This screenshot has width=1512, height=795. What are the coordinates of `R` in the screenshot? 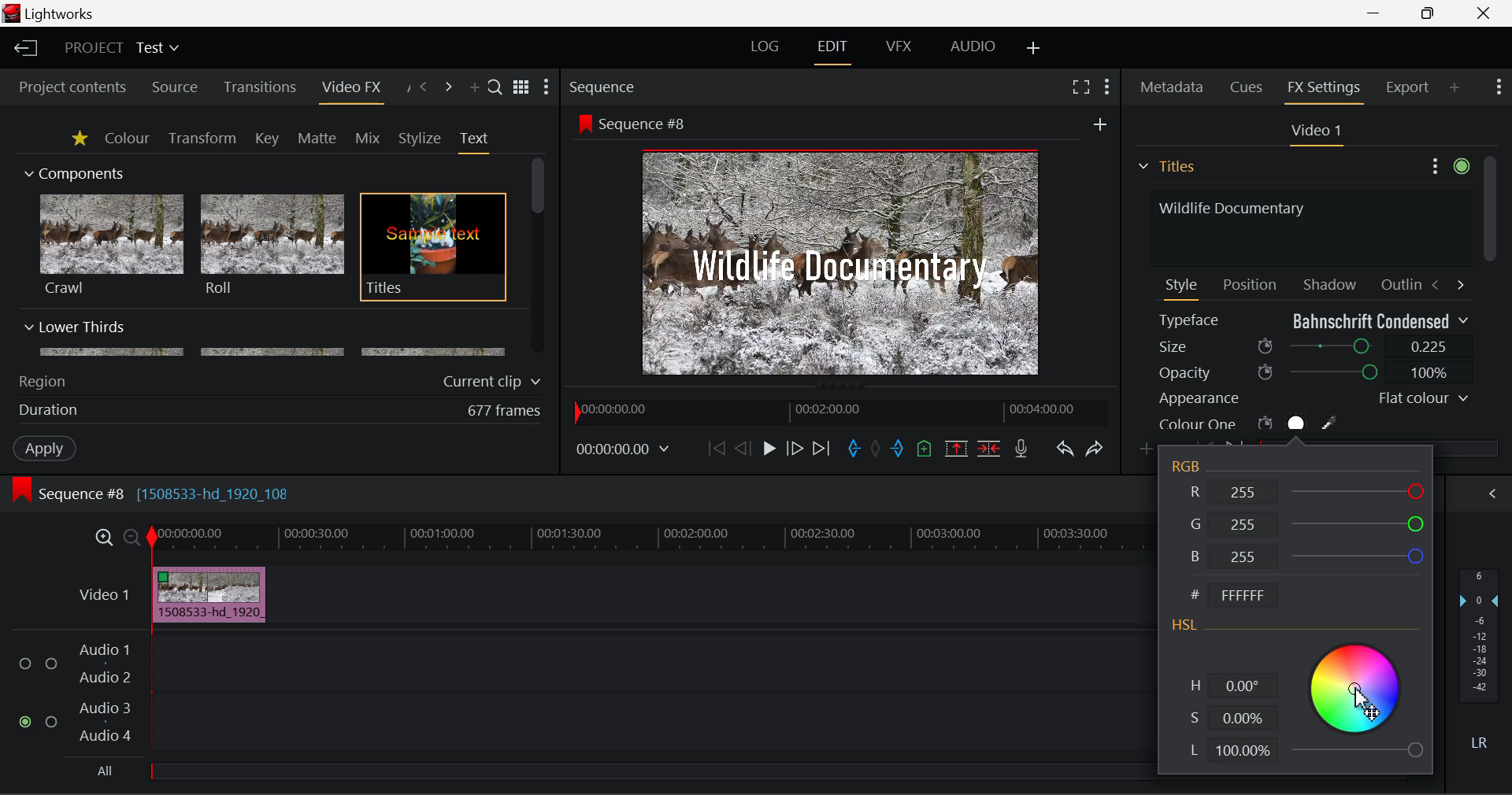 It's located at (1308, 490).